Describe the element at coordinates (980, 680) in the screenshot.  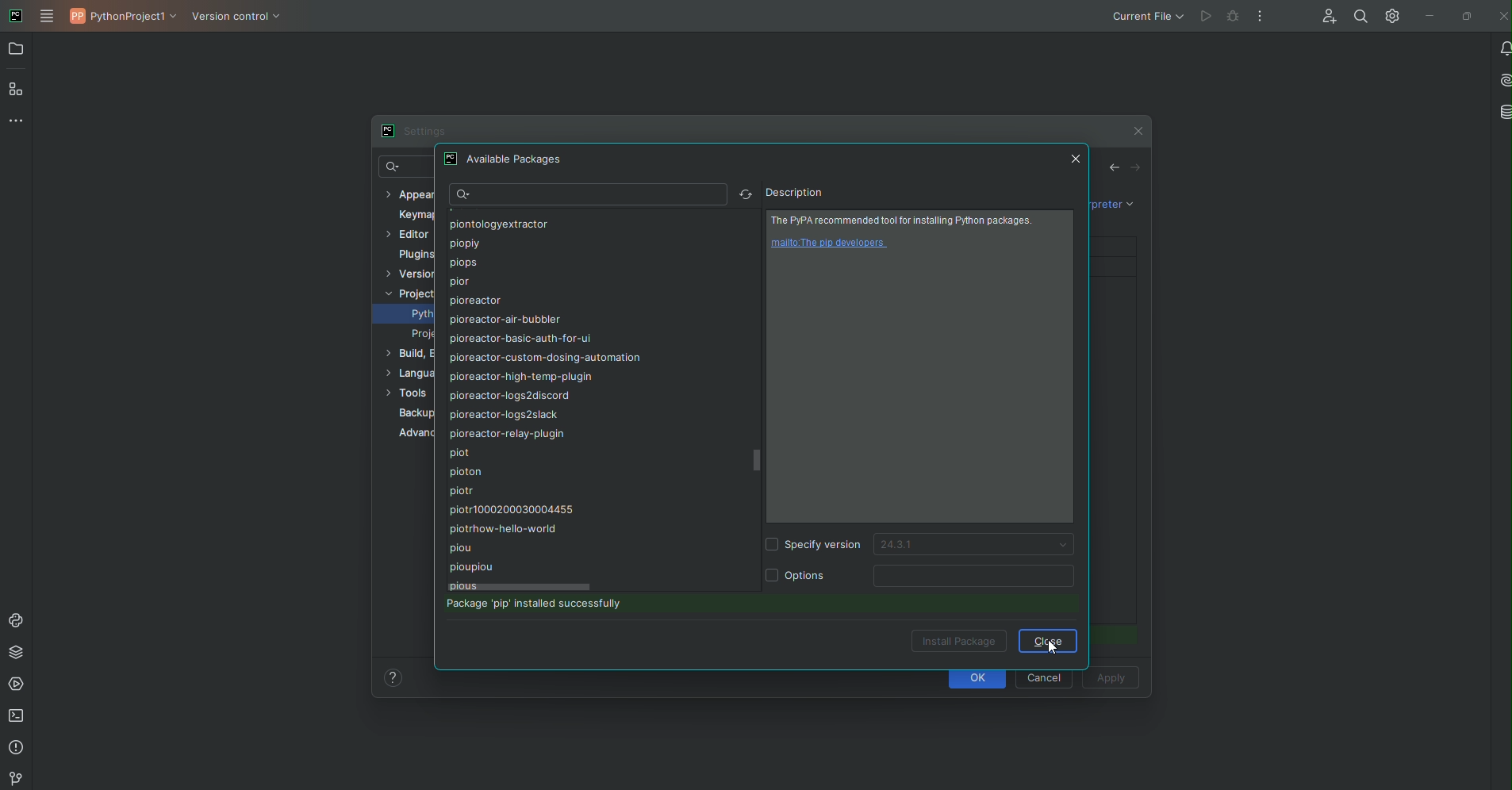
I see `OK` at that location.